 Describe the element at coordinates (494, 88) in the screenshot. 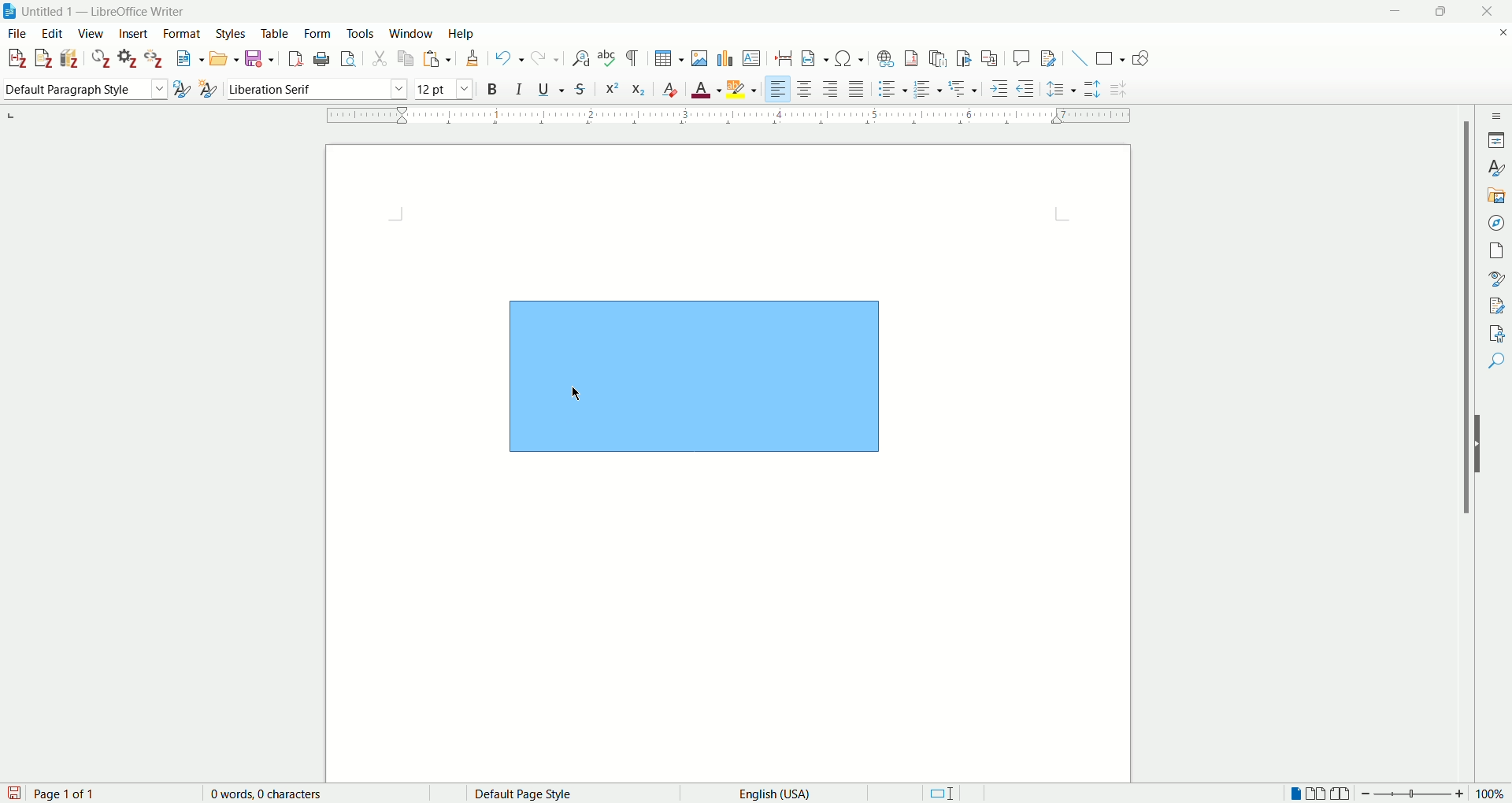

I see `bold` at that location.